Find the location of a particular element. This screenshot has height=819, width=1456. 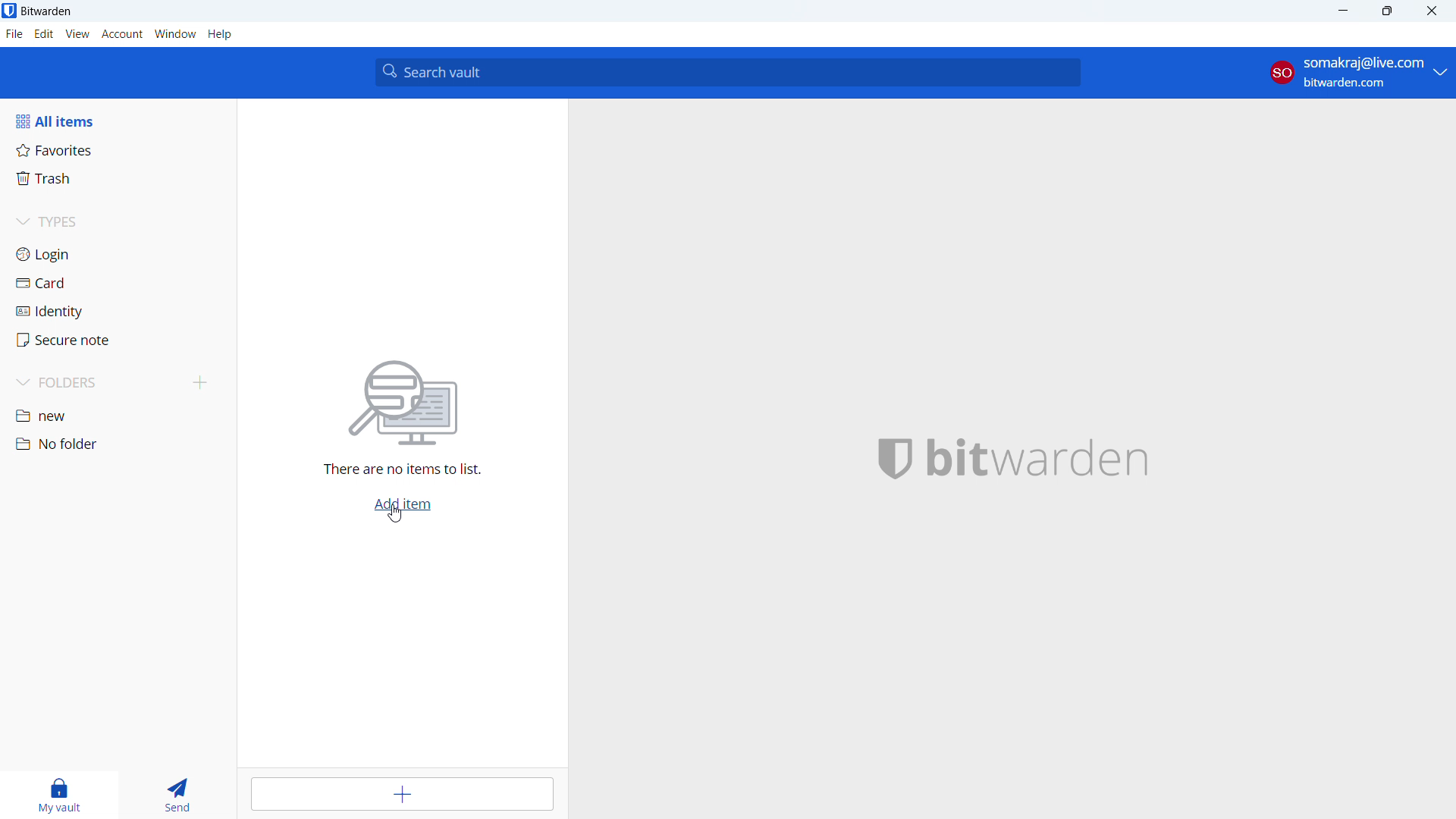

favorites is located at coordinates (118, 149).